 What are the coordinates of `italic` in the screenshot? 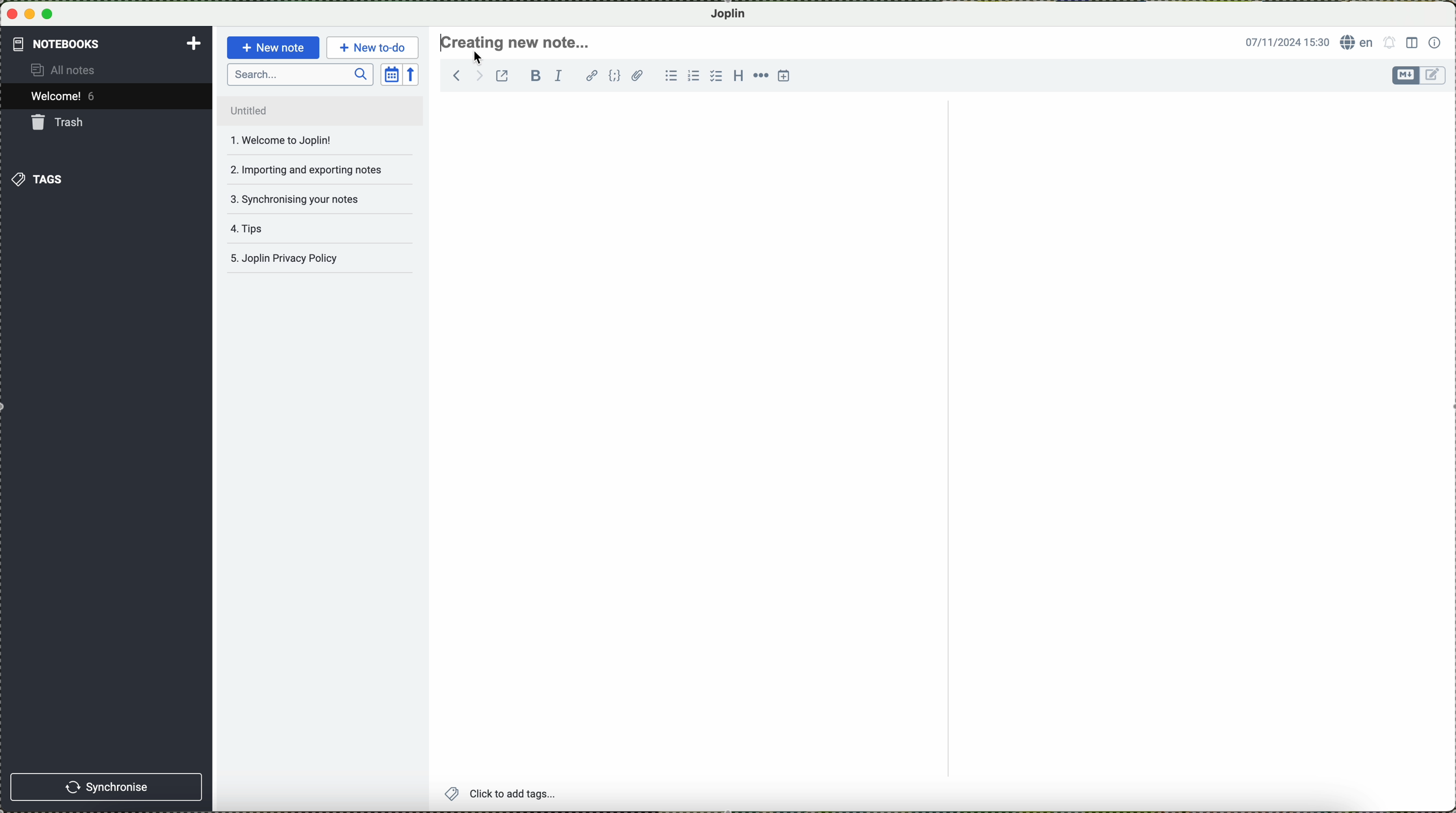 It's located at (562, 77).